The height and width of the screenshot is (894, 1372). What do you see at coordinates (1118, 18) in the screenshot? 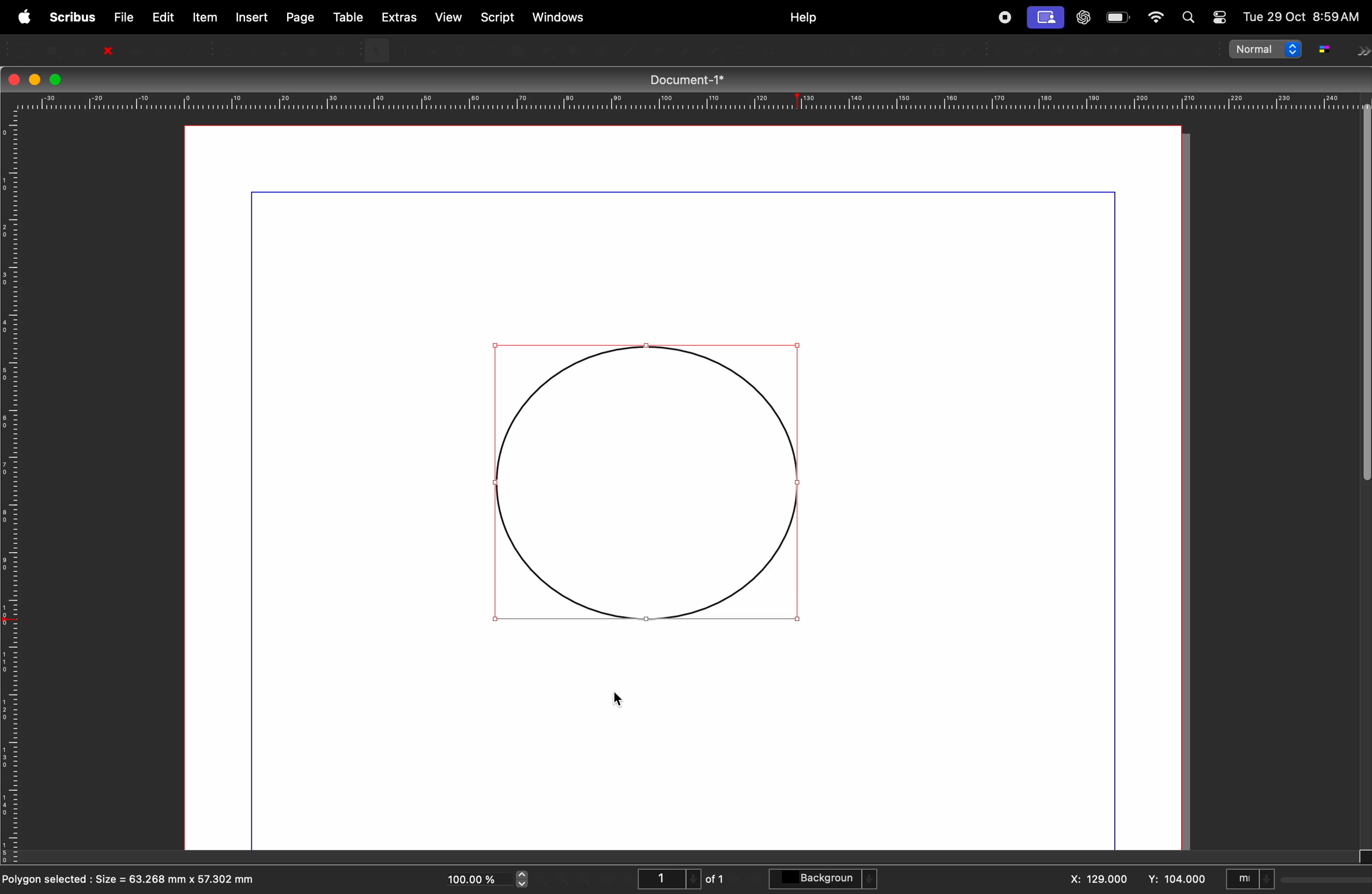
I see `battery` at bounding box center [1118, 18].